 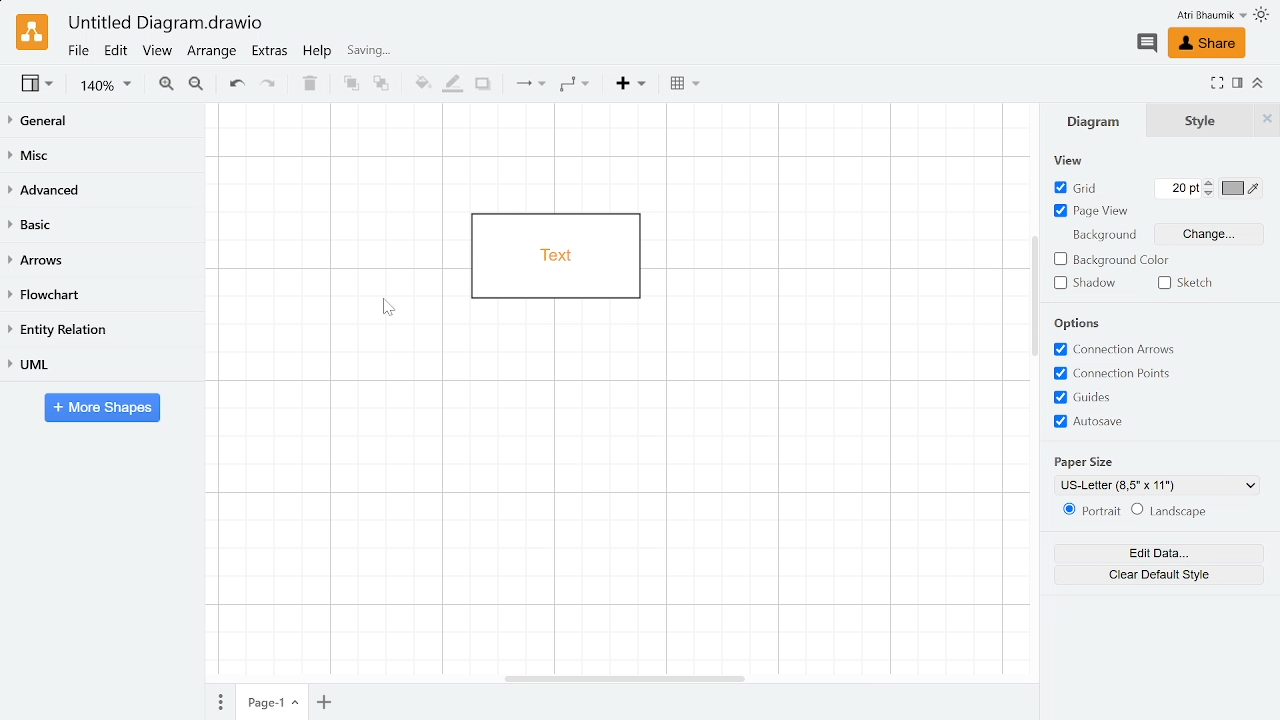 What do you see at coordinates (1211, 182) in the screenshot?
I see `Increase grid pt` at bounding box center [1211, 182].